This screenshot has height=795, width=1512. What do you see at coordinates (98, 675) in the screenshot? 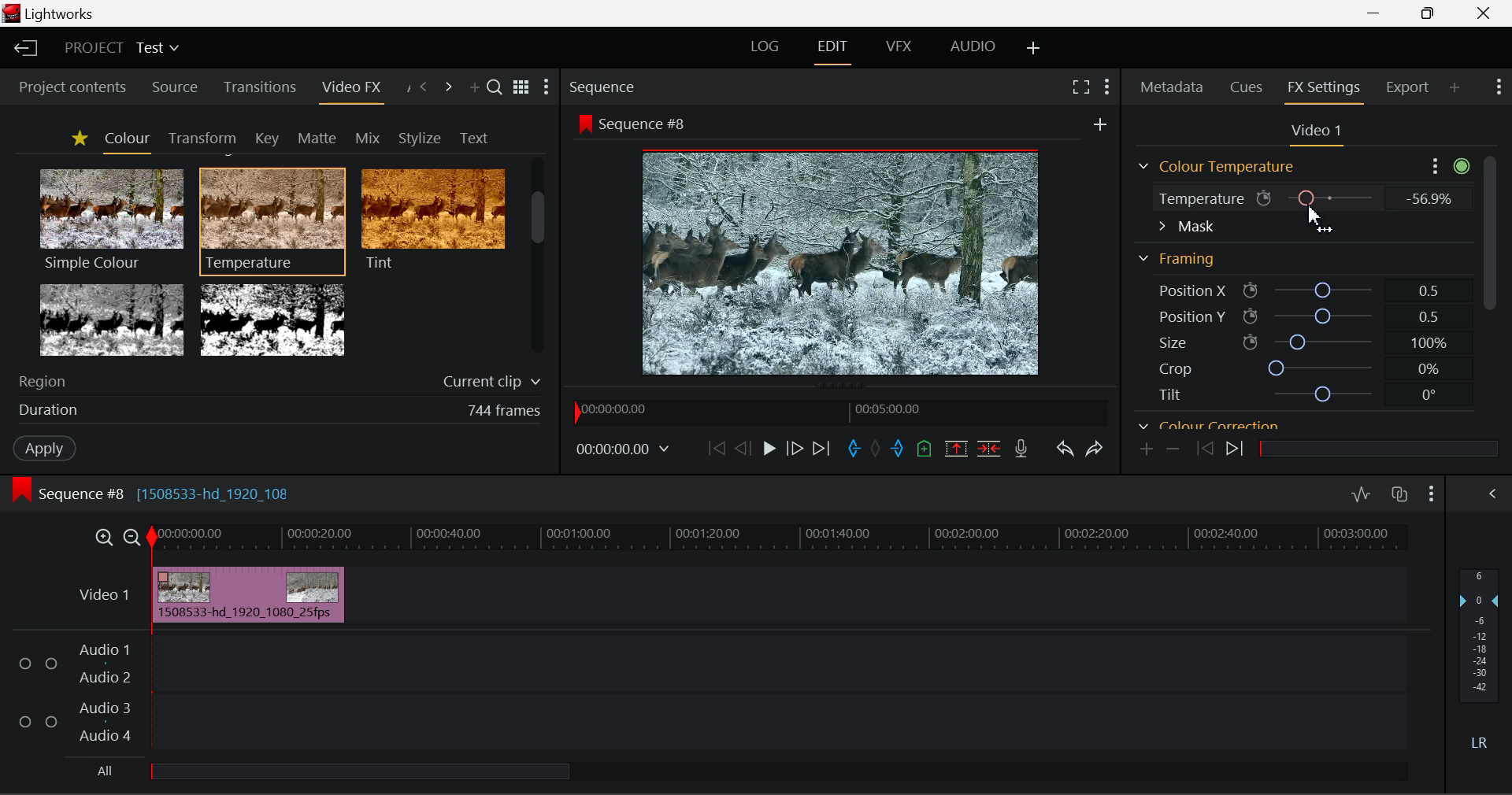
I see `Audio 2` at bounding box center [98, 675].